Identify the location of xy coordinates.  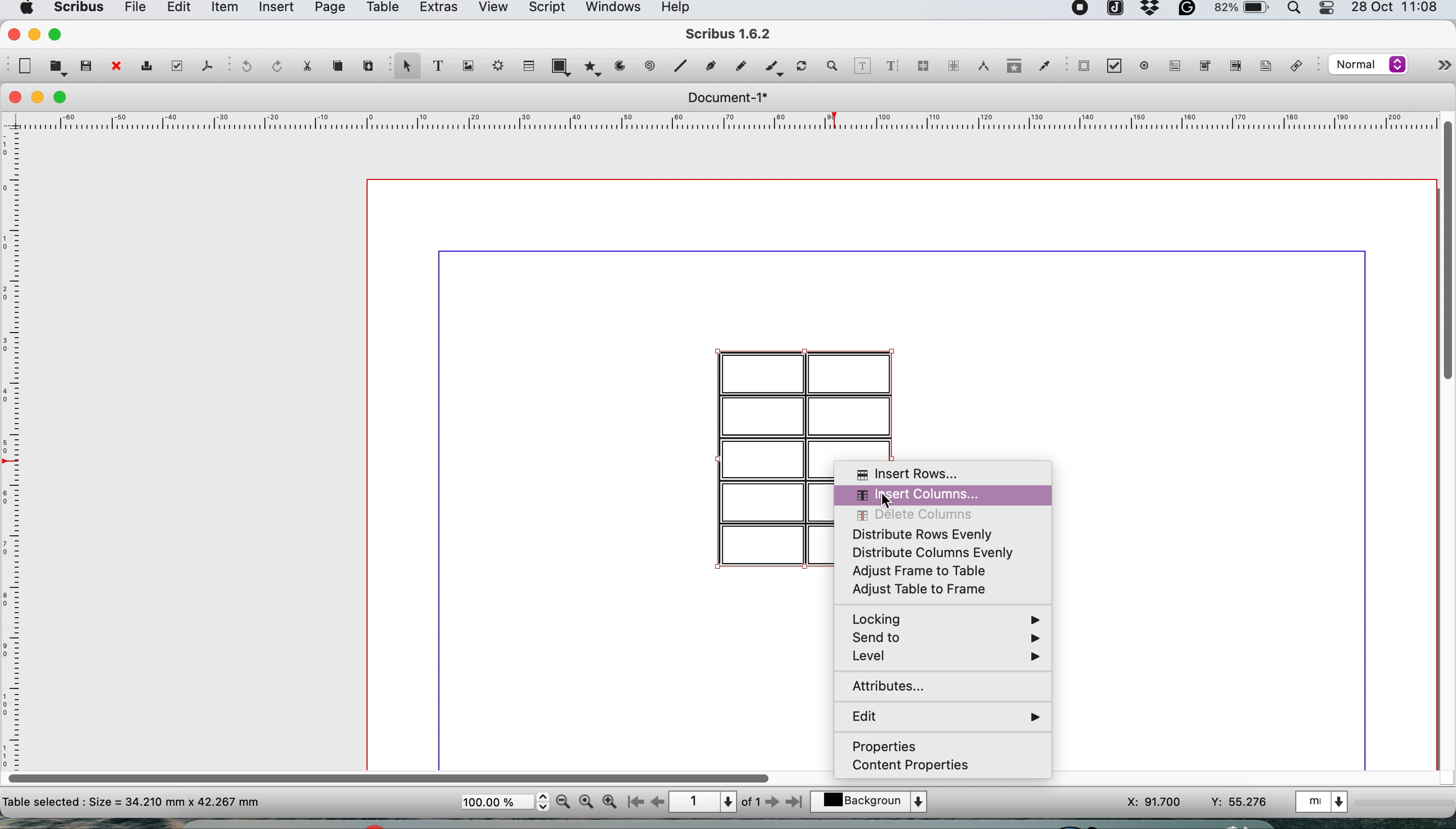
(1197, 802).